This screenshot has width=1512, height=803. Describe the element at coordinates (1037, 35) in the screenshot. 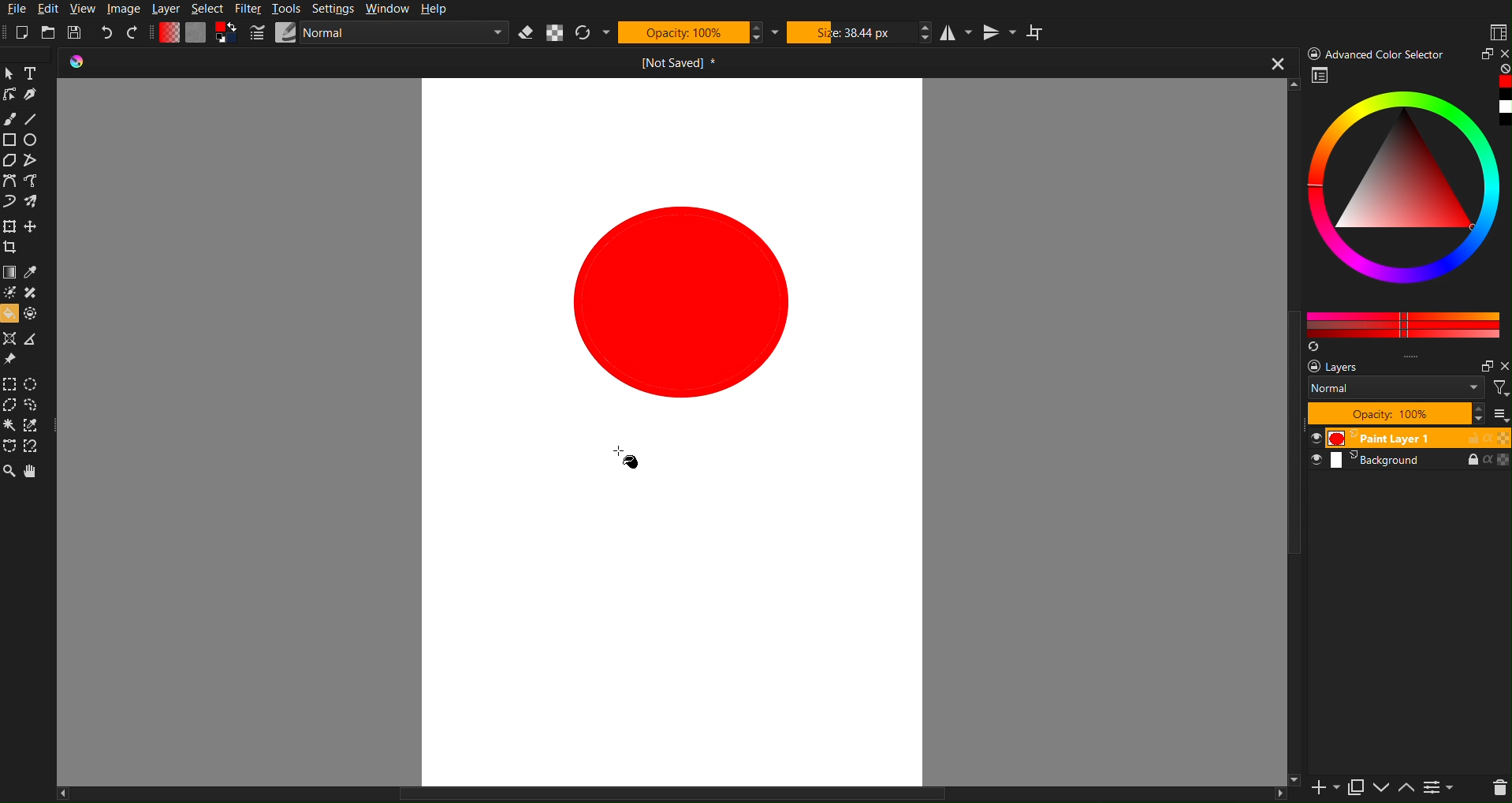

I see `Wrap Around` at that location.